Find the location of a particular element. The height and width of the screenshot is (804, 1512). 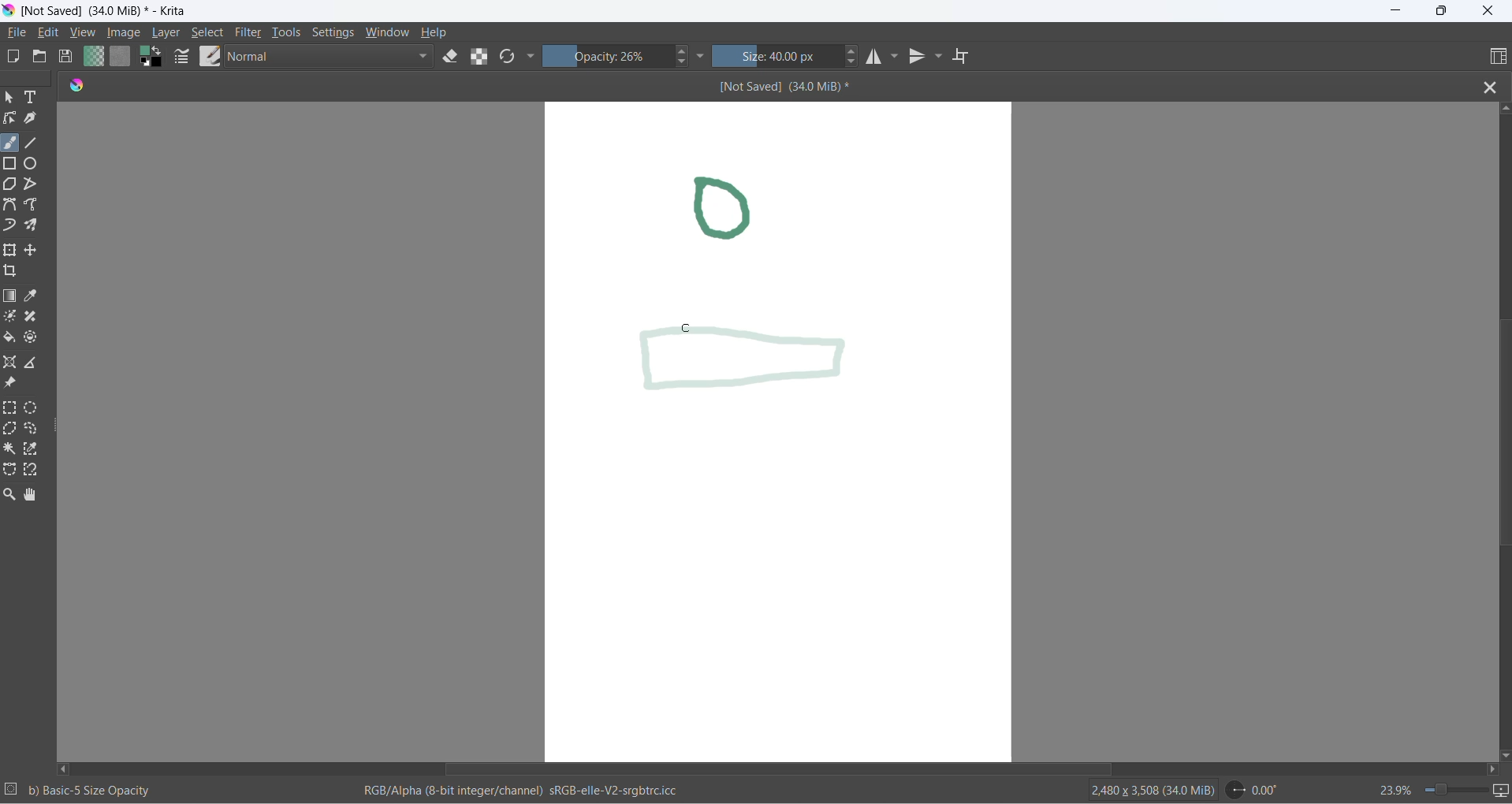

image is located at coordinates (125, 33).